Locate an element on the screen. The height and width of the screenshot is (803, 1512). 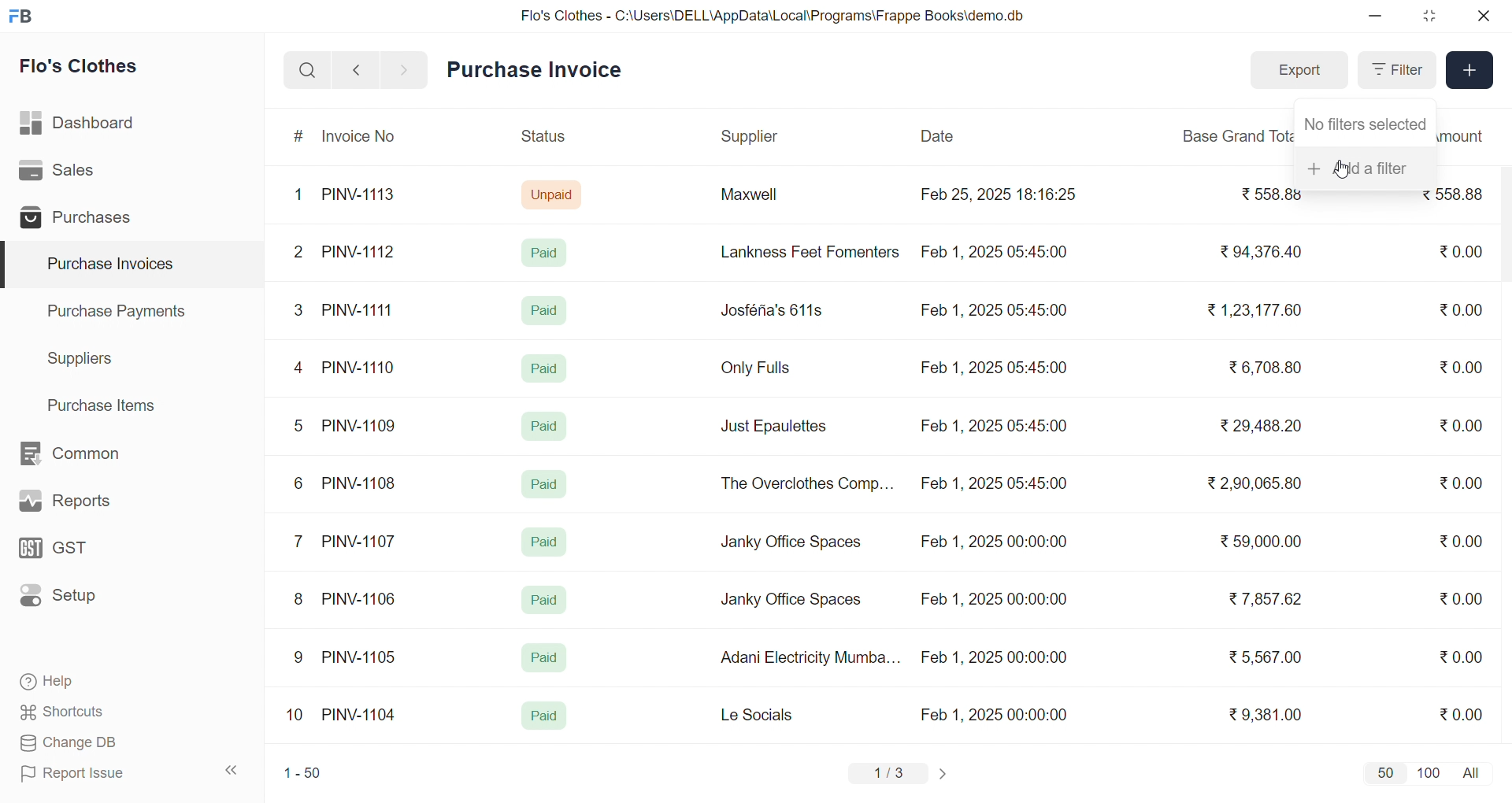
Date is located at coordinates (939, 136).